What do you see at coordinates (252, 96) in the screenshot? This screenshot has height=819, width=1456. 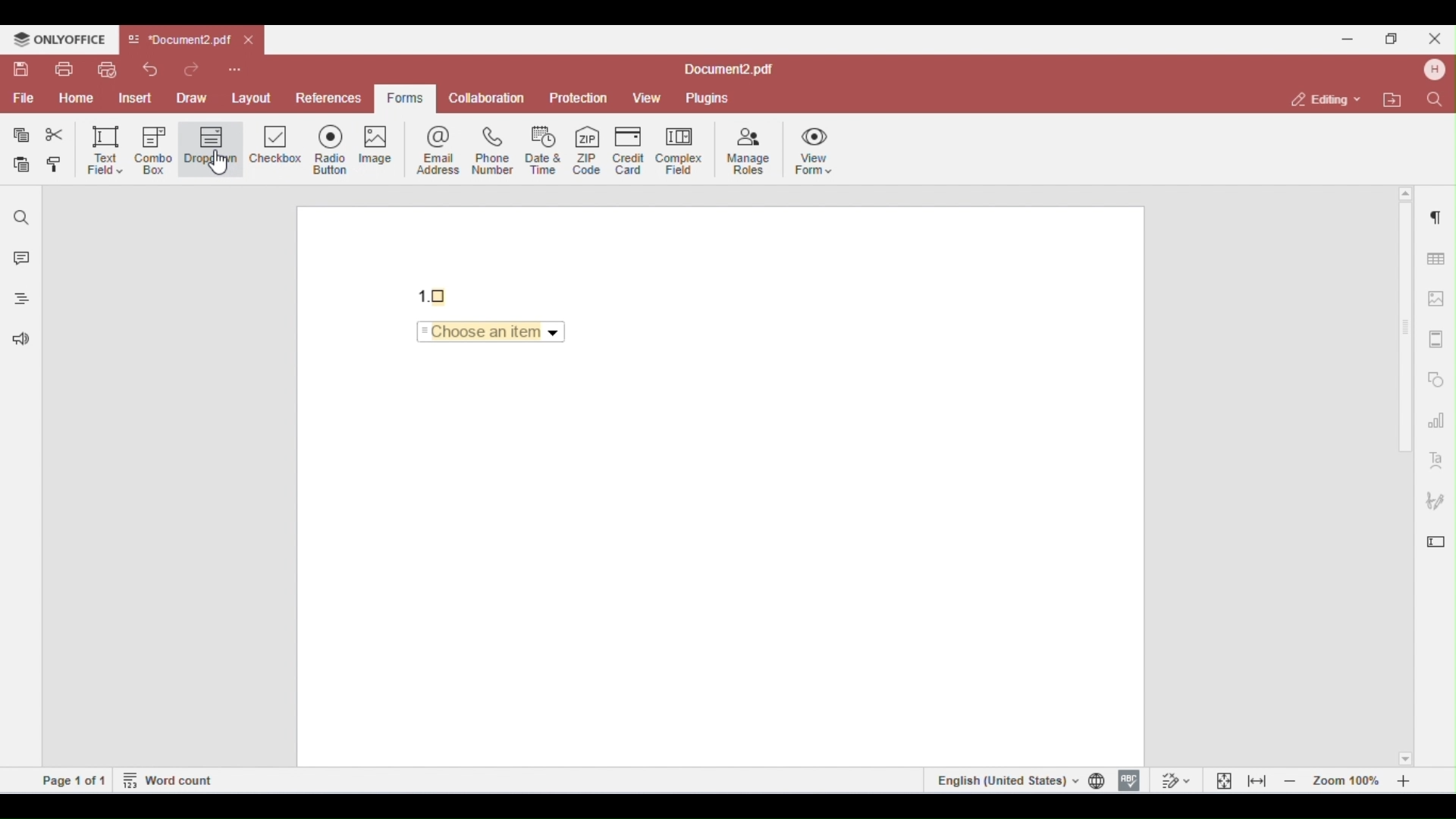 I see `layout` at bounding box center [252, 96].